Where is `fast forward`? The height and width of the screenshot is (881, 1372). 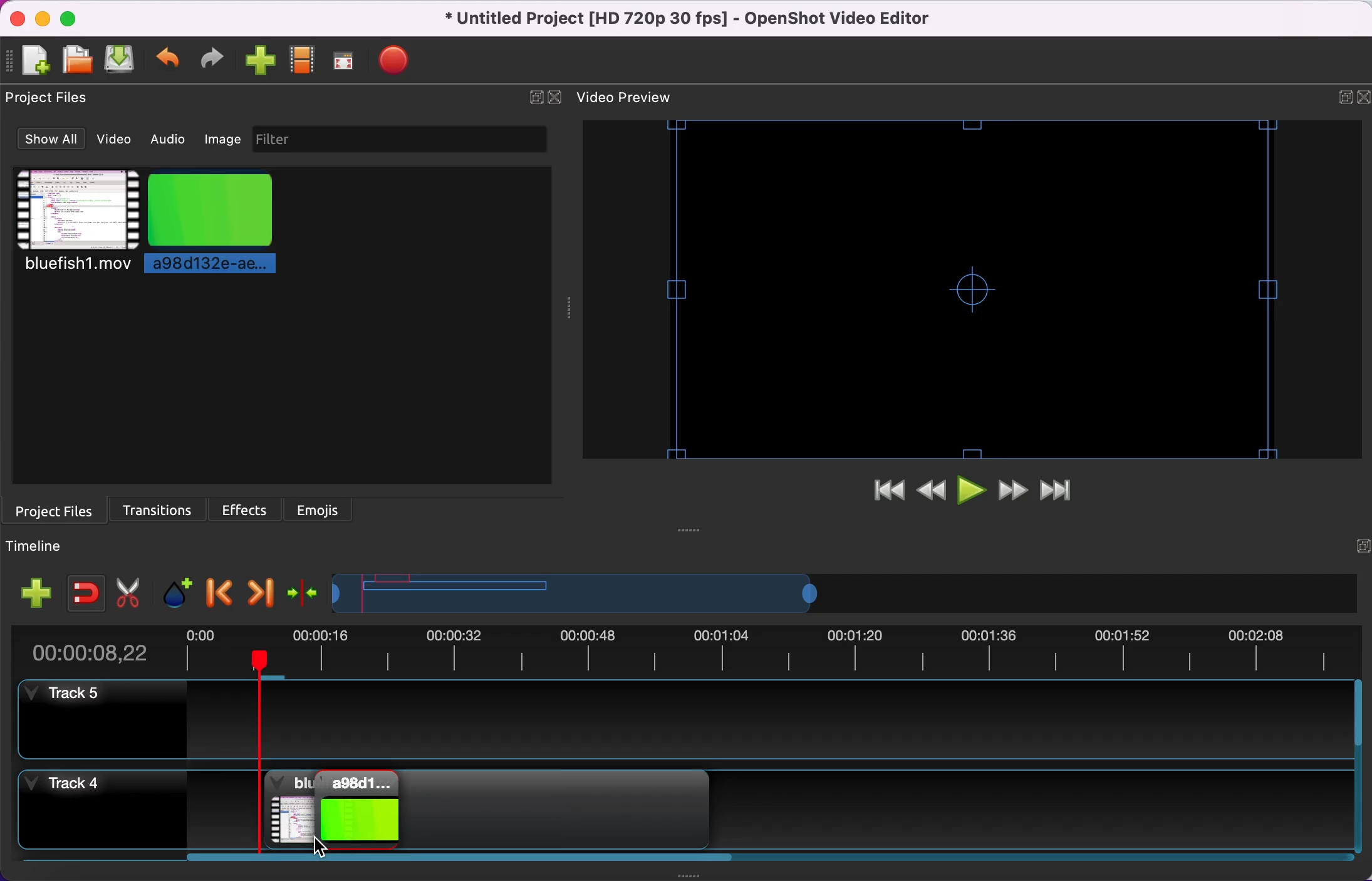 fast forward is located at coordinates (1016, 493).